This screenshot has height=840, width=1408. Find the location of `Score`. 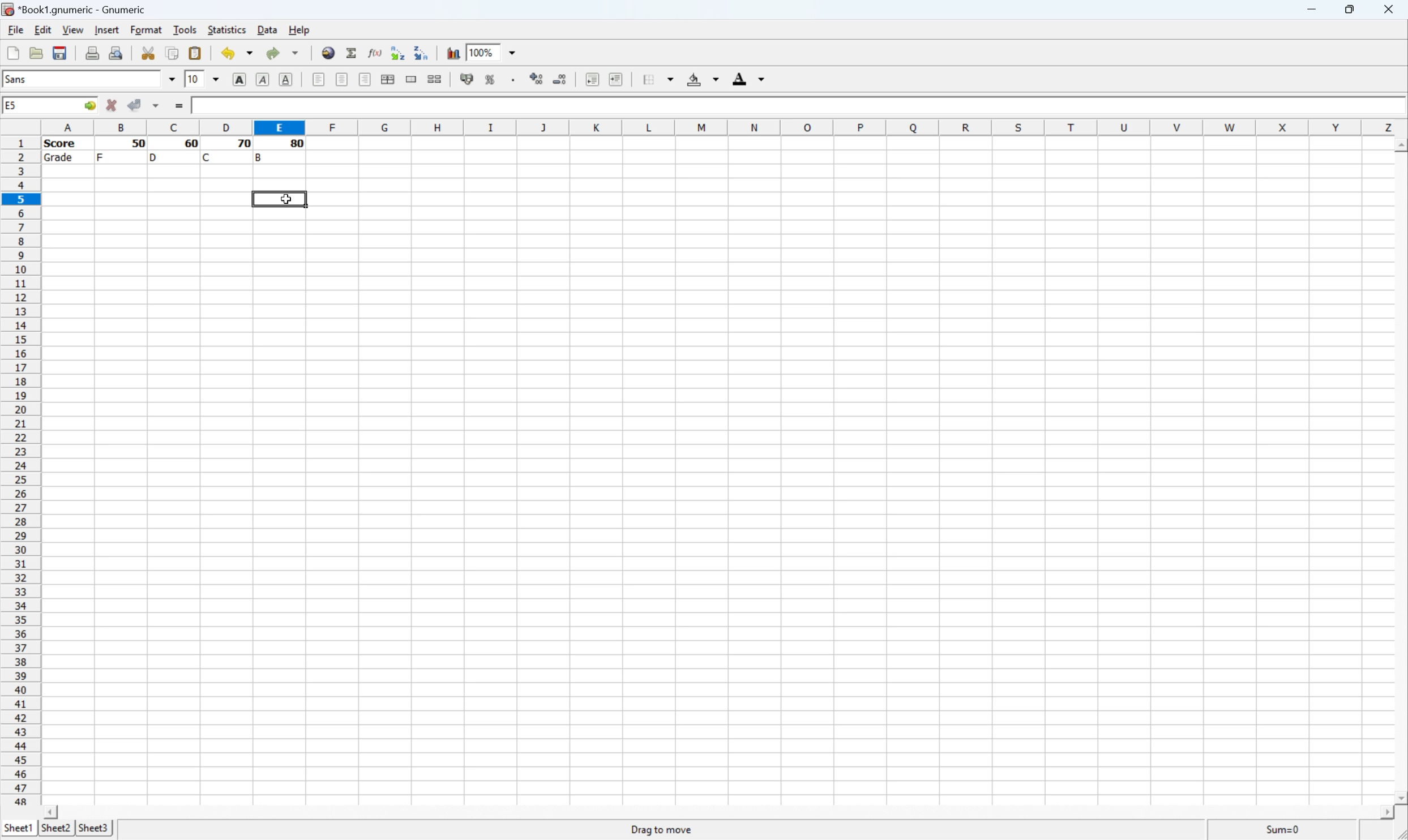

Score is located at coordinates (207, 104).